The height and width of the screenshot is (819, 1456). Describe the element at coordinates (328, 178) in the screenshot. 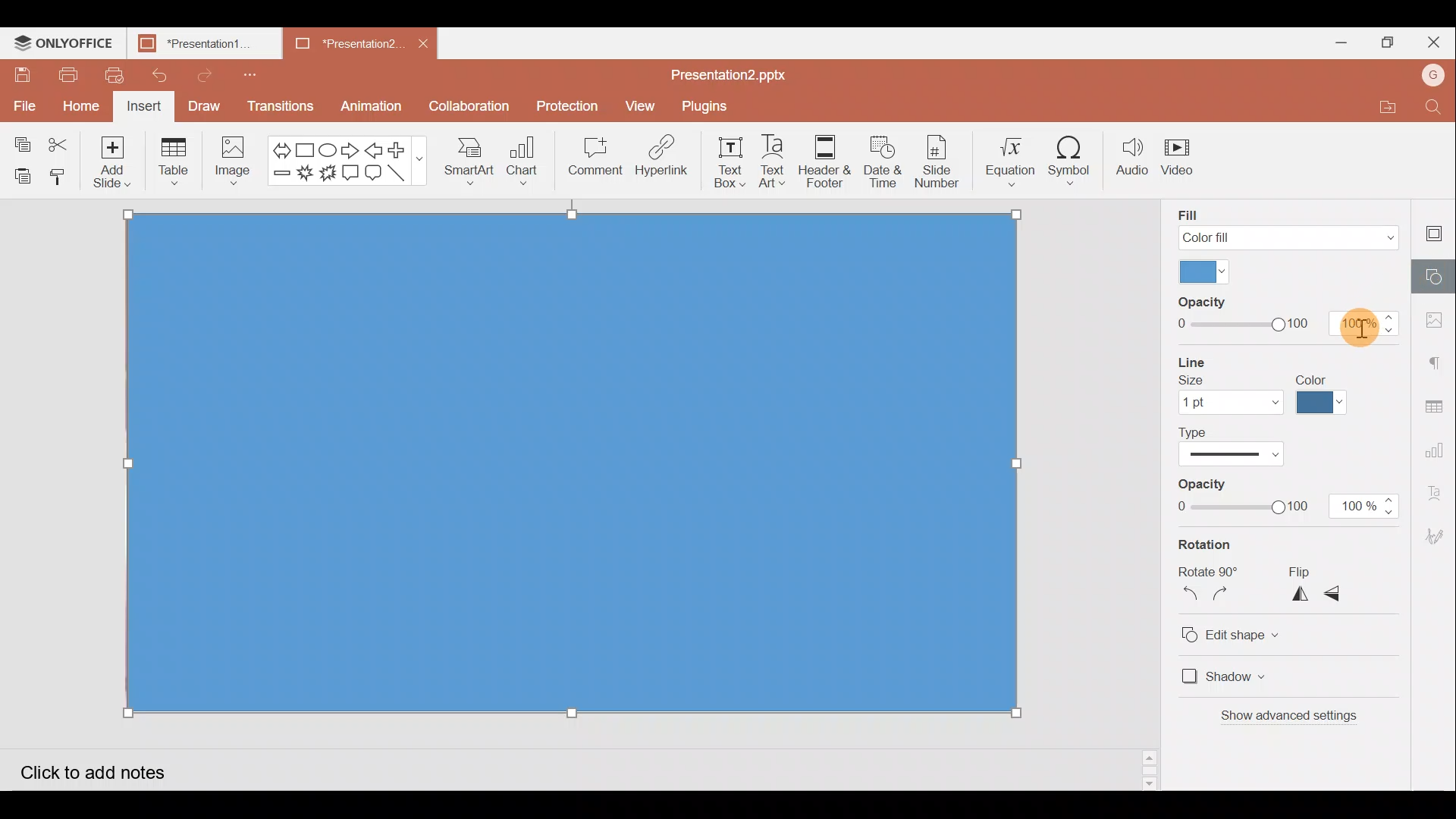

I see `Explosion 2` at that location.